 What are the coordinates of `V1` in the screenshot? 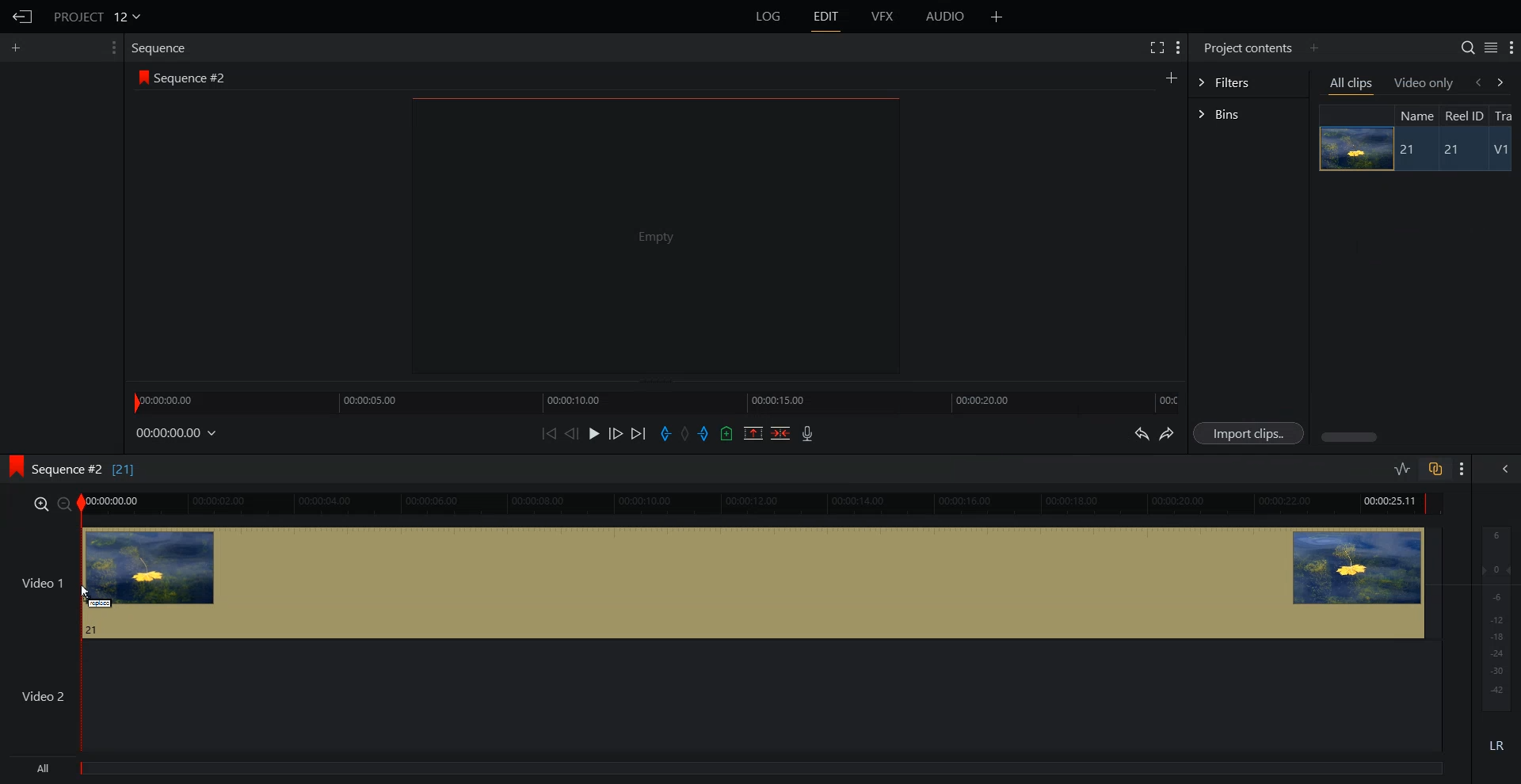 It's located at (1500, 150).